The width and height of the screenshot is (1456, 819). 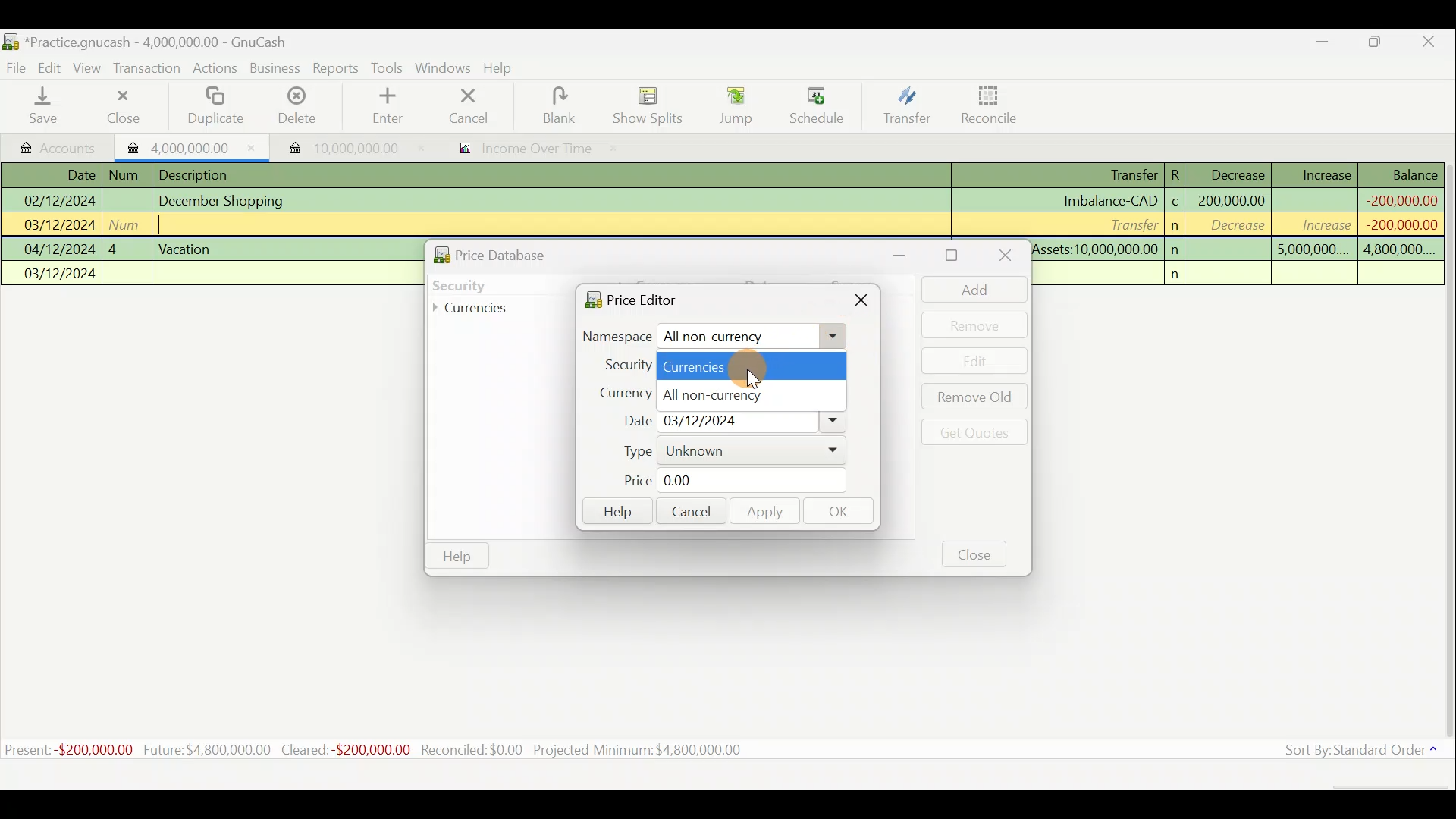 I want to click on Close, so click(x=1003, y=257).